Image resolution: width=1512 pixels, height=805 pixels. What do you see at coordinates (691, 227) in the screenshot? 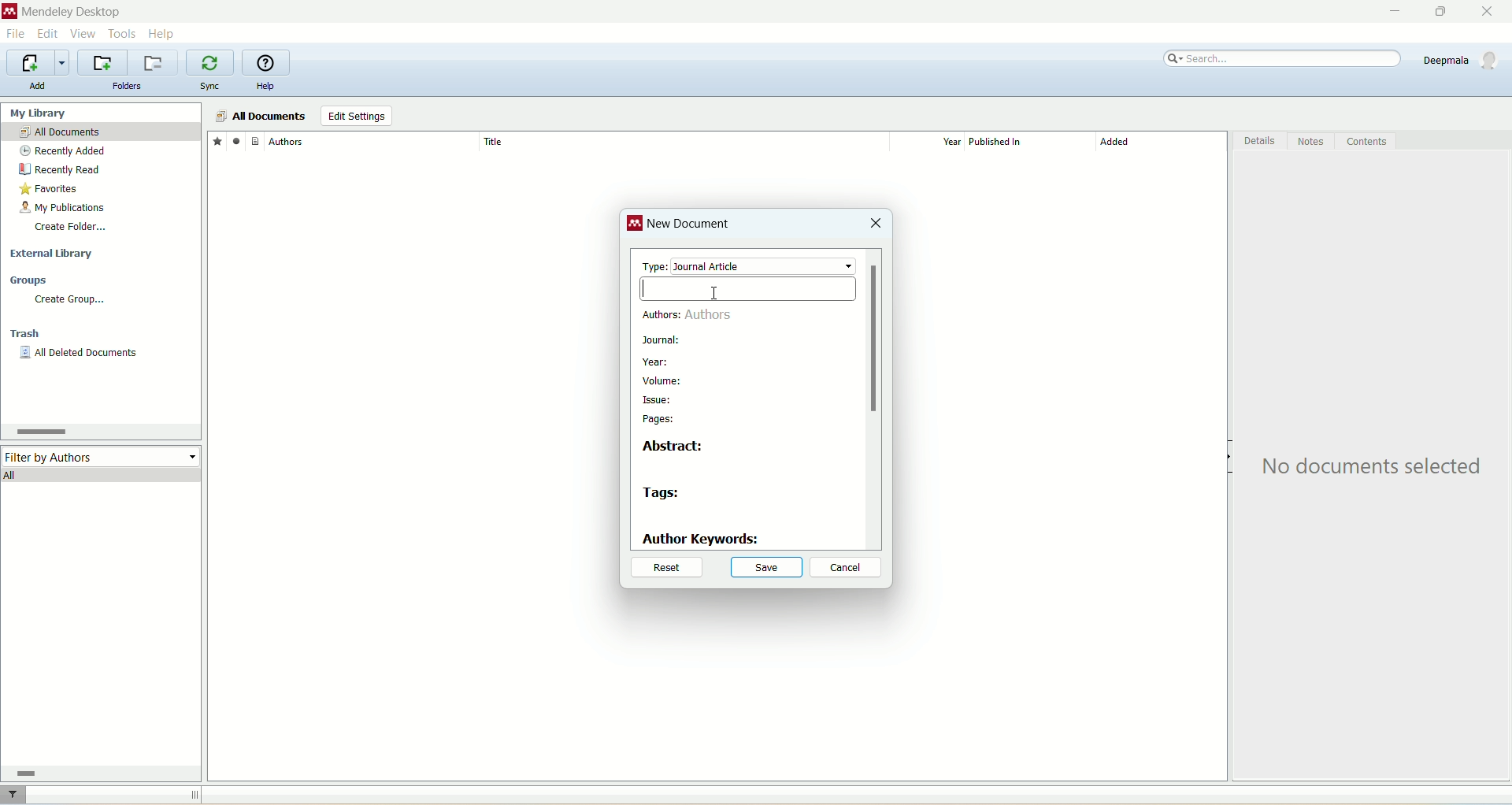
I see `new document` at bounding box center [691, 227].